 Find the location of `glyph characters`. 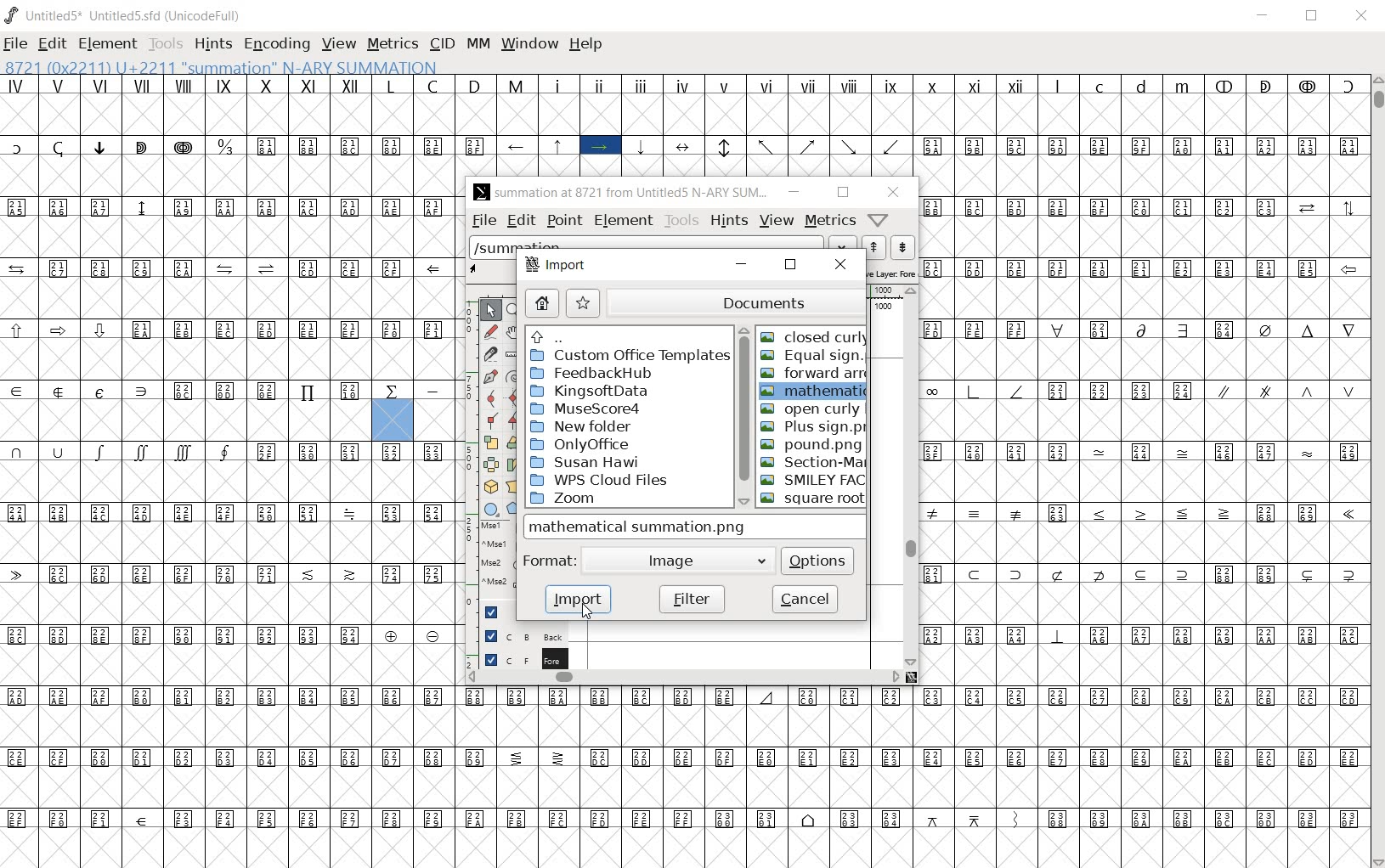

glyph characters is located at coordinates (1145, 441).